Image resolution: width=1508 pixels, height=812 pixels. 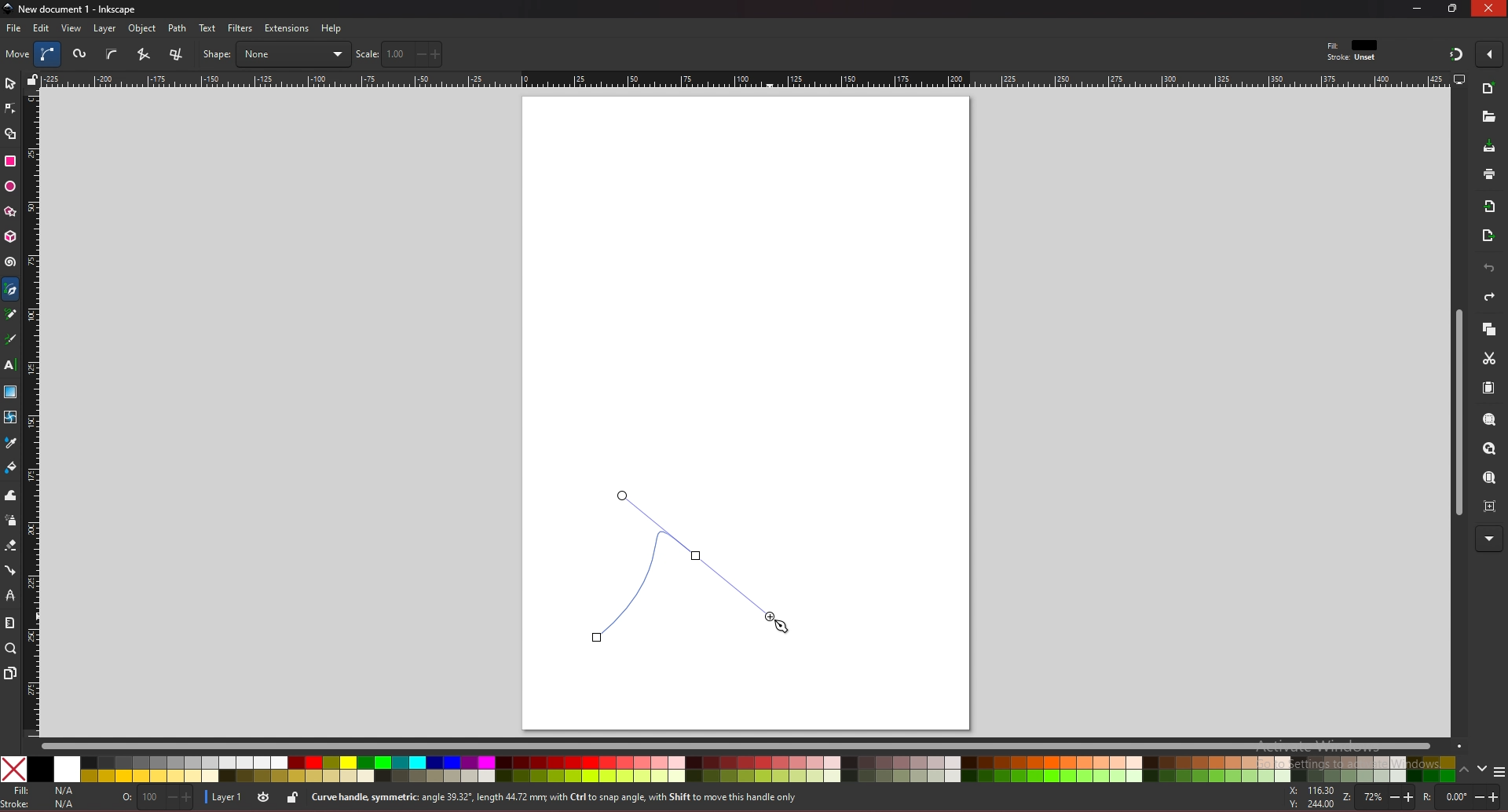 What do you see at coordinates (751, 744) in the screenshot?
I see `scroll bar` at bounding box center [751, 744].